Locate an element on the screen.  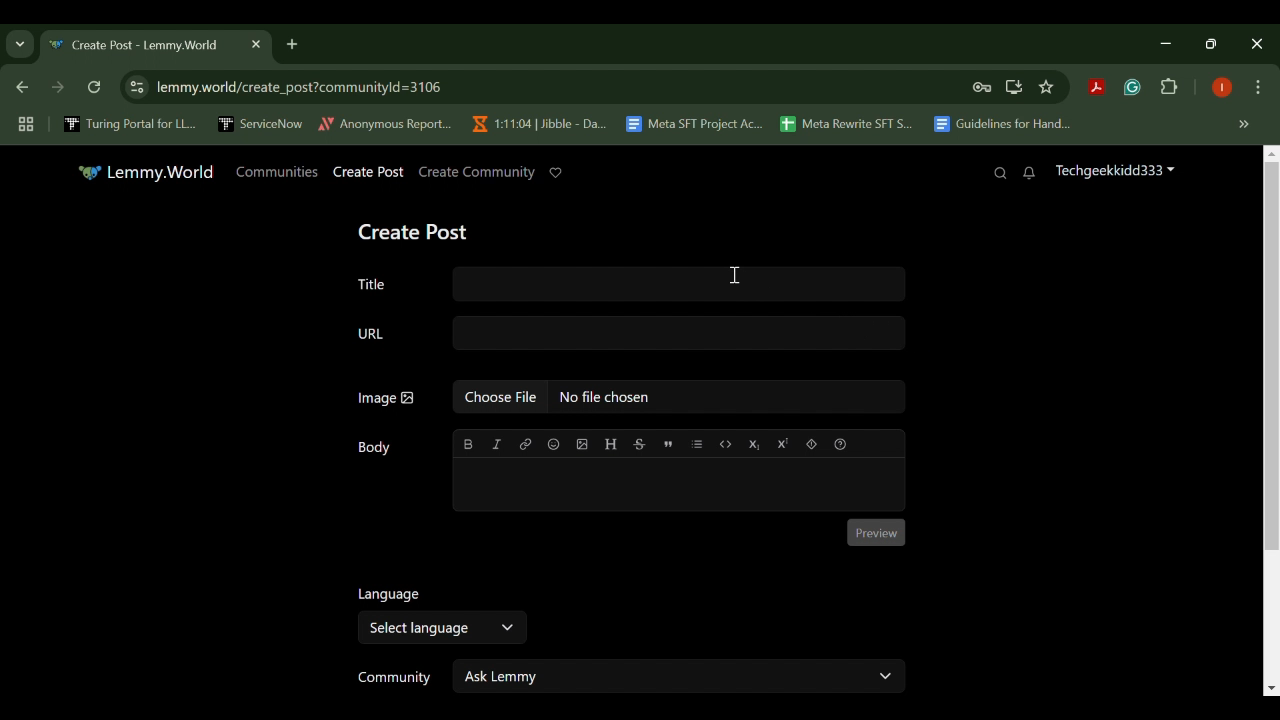
Bookmark Site Button is located at coordinates (1046, 88).